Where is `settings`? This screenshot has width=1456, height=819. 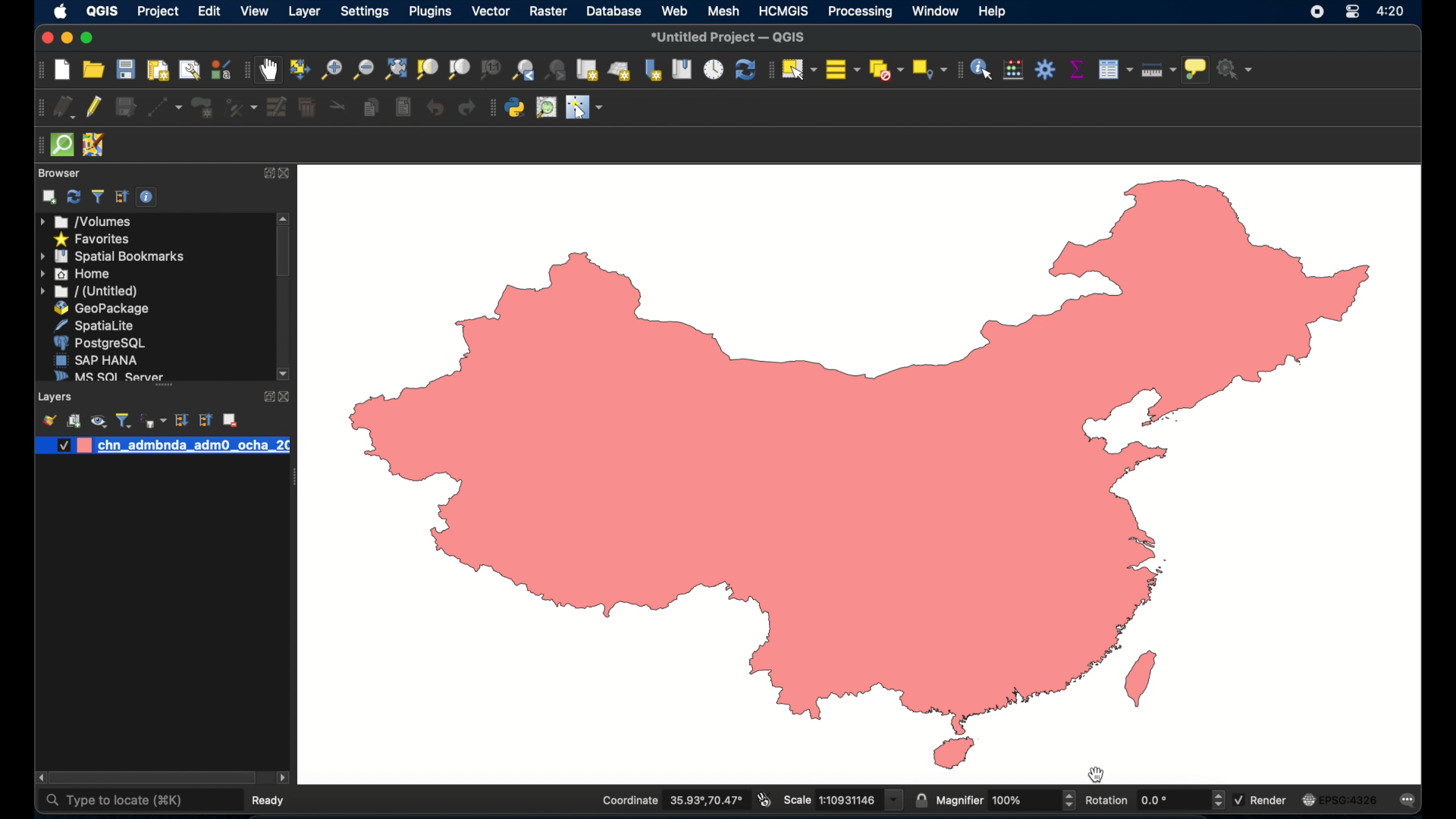
settings is located at coordinates (366, 12).